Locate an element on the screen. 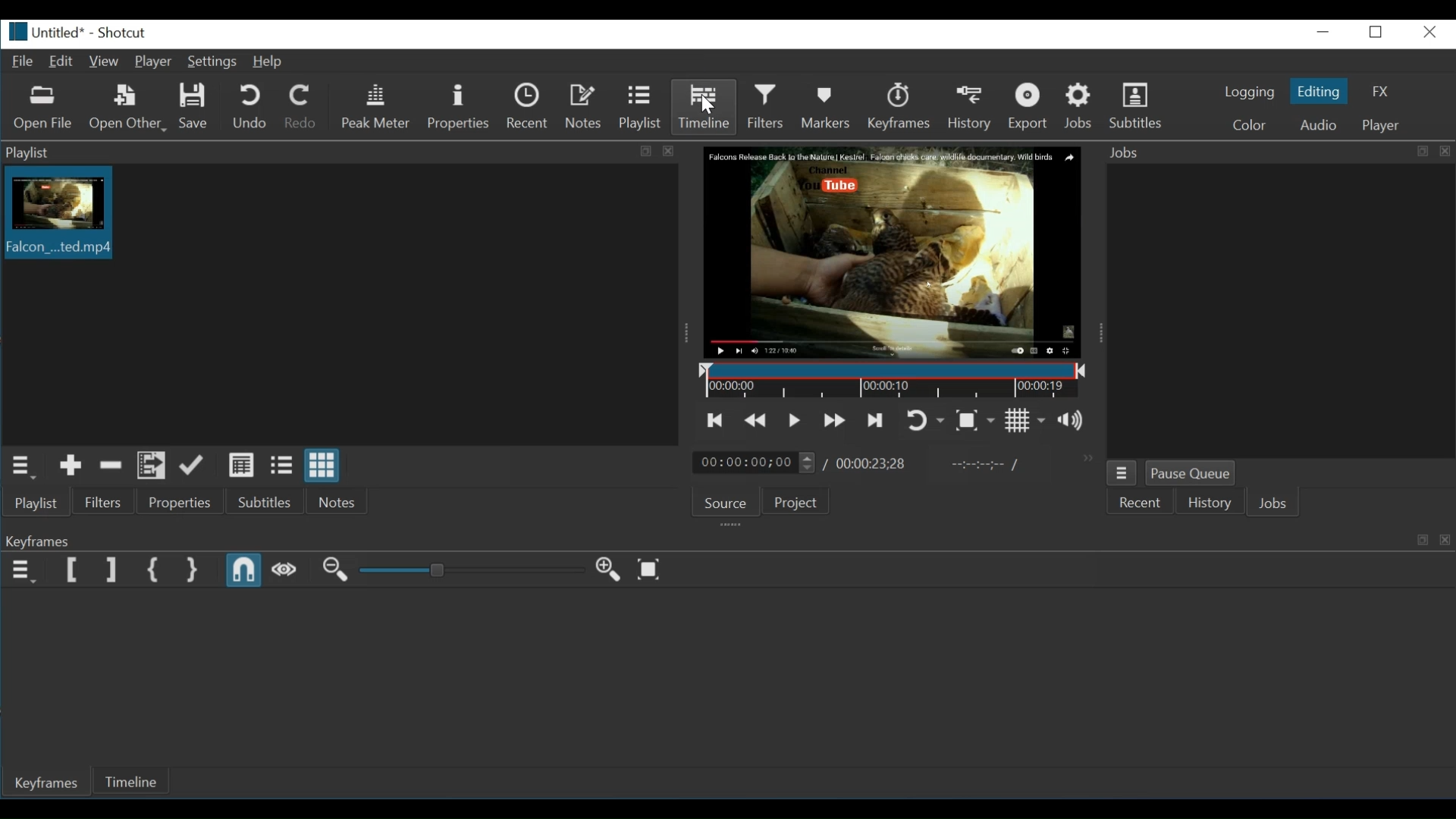 The height and width of the screenshot is (819, 1456). Zoom in Keyframe is located at coordinates (612, 570).